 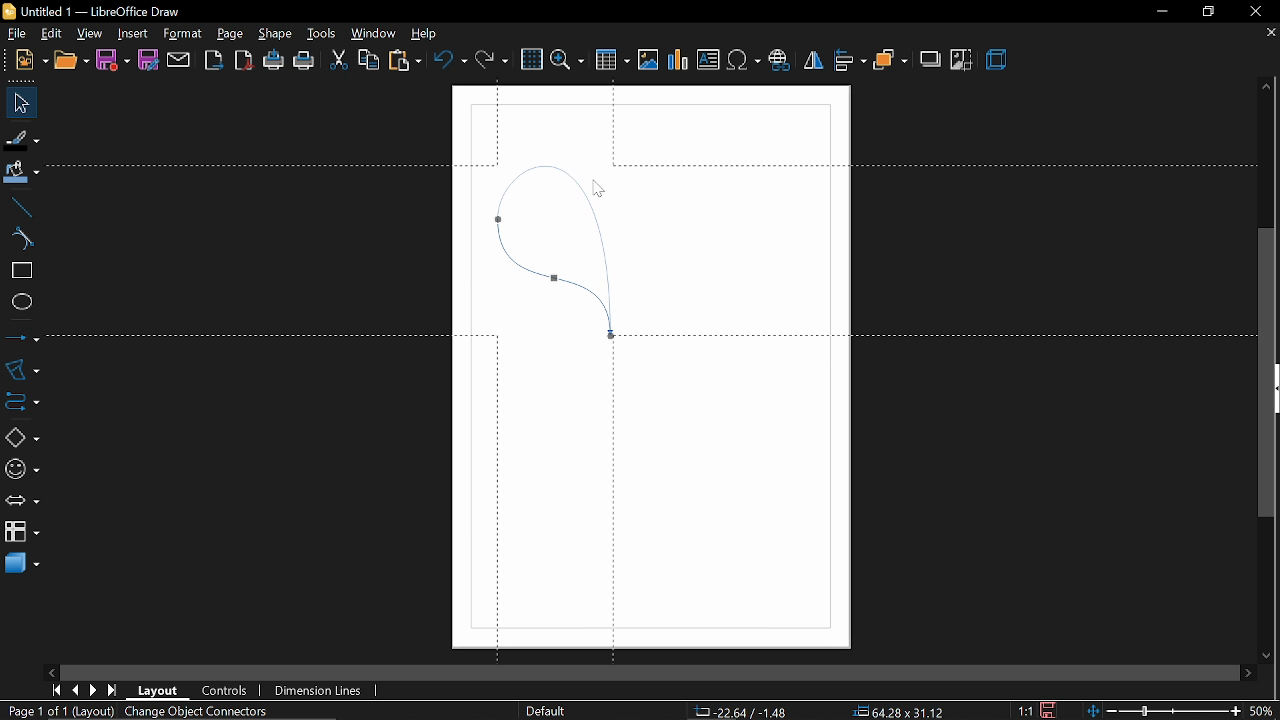 What do you see at coordinates (740, 712) in the screenshot?
I see `1.40/6.06` at bounding box center [740, 712].